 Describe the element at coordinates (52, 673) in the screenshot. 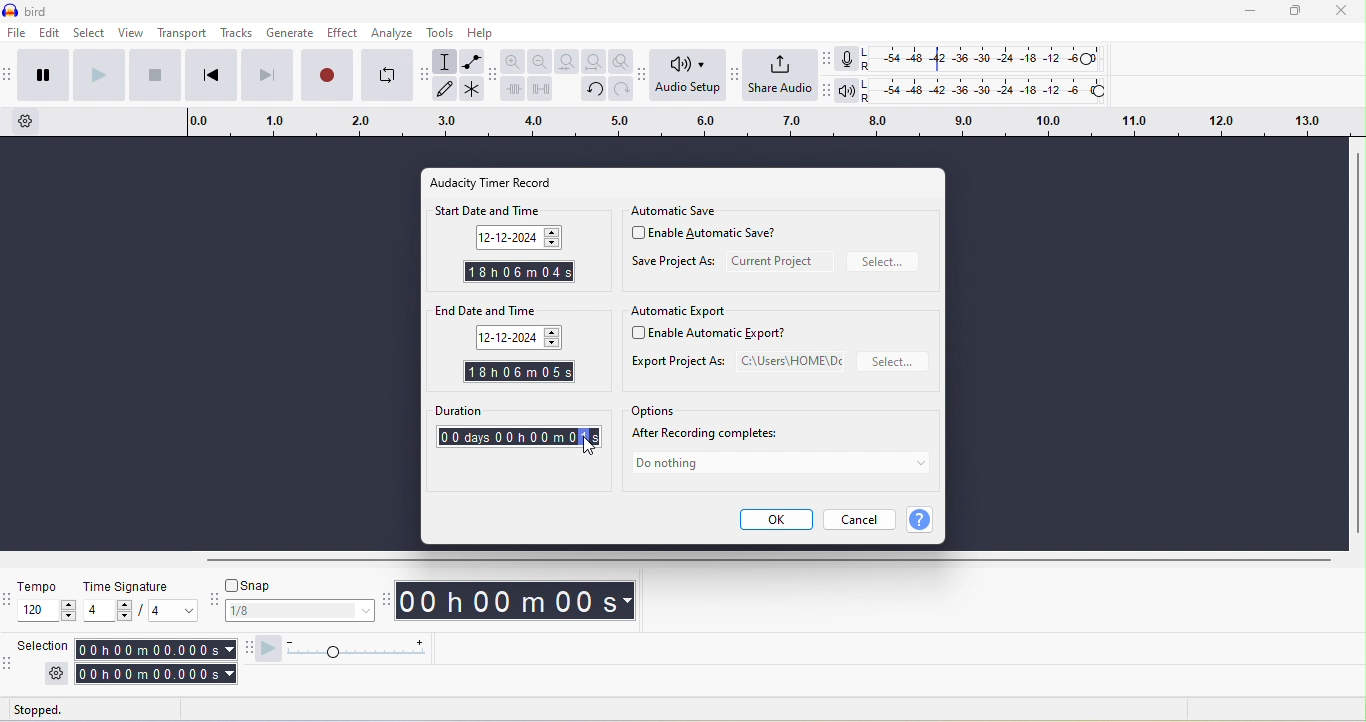

I see `settings` at that location.